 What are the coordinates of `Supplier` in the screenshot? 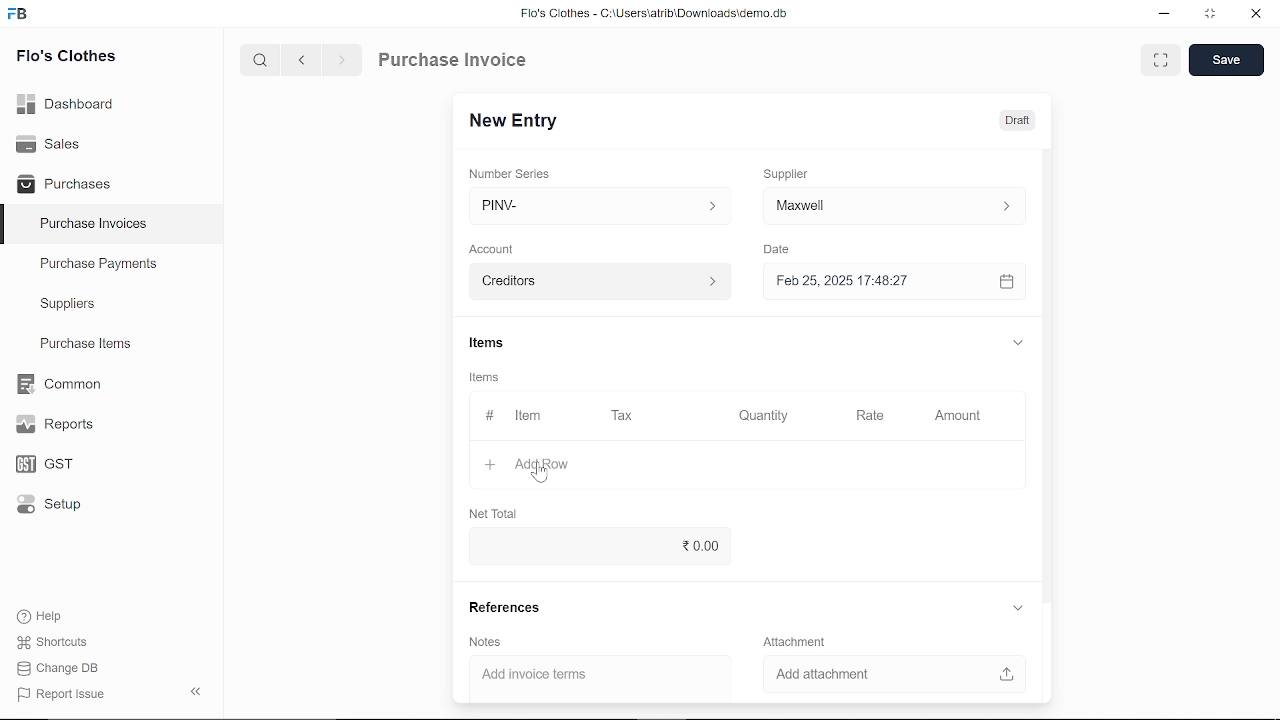 It's located at (797, 172).